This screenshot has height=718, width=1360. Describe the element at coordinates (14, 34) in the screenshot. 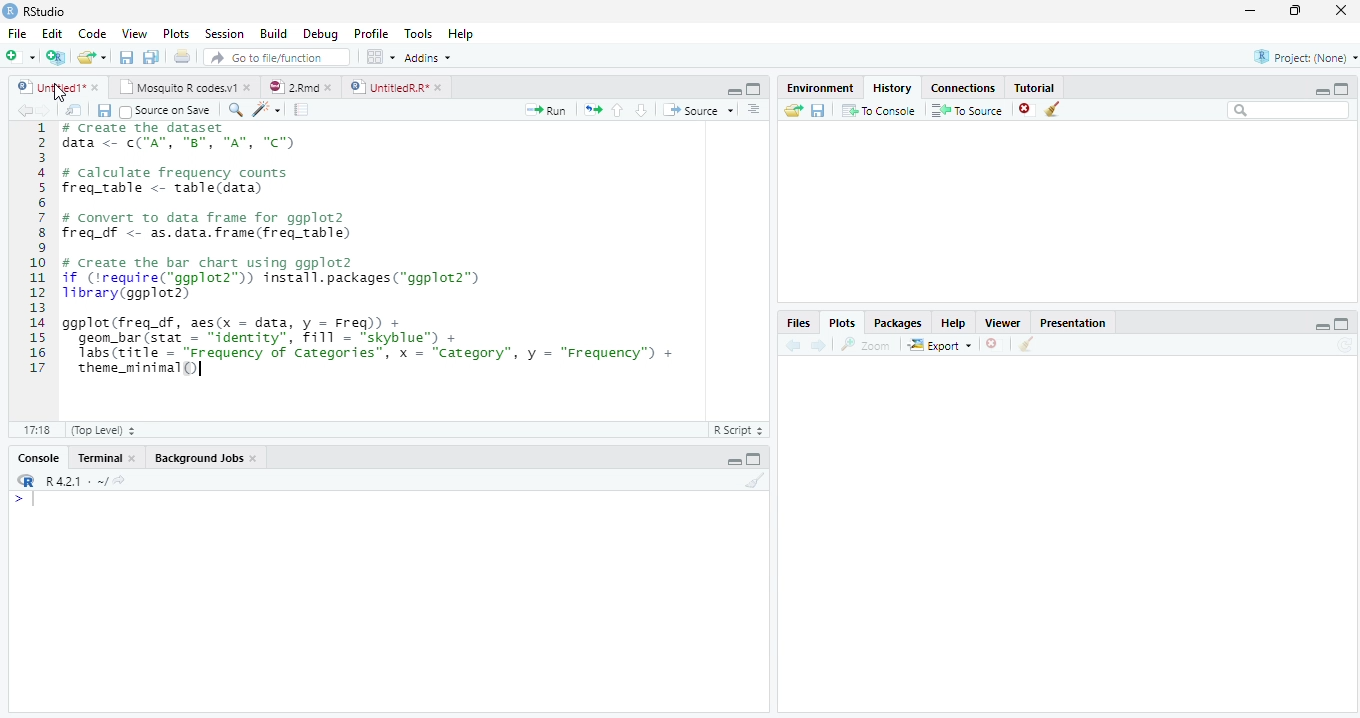

I see `File` at that location.